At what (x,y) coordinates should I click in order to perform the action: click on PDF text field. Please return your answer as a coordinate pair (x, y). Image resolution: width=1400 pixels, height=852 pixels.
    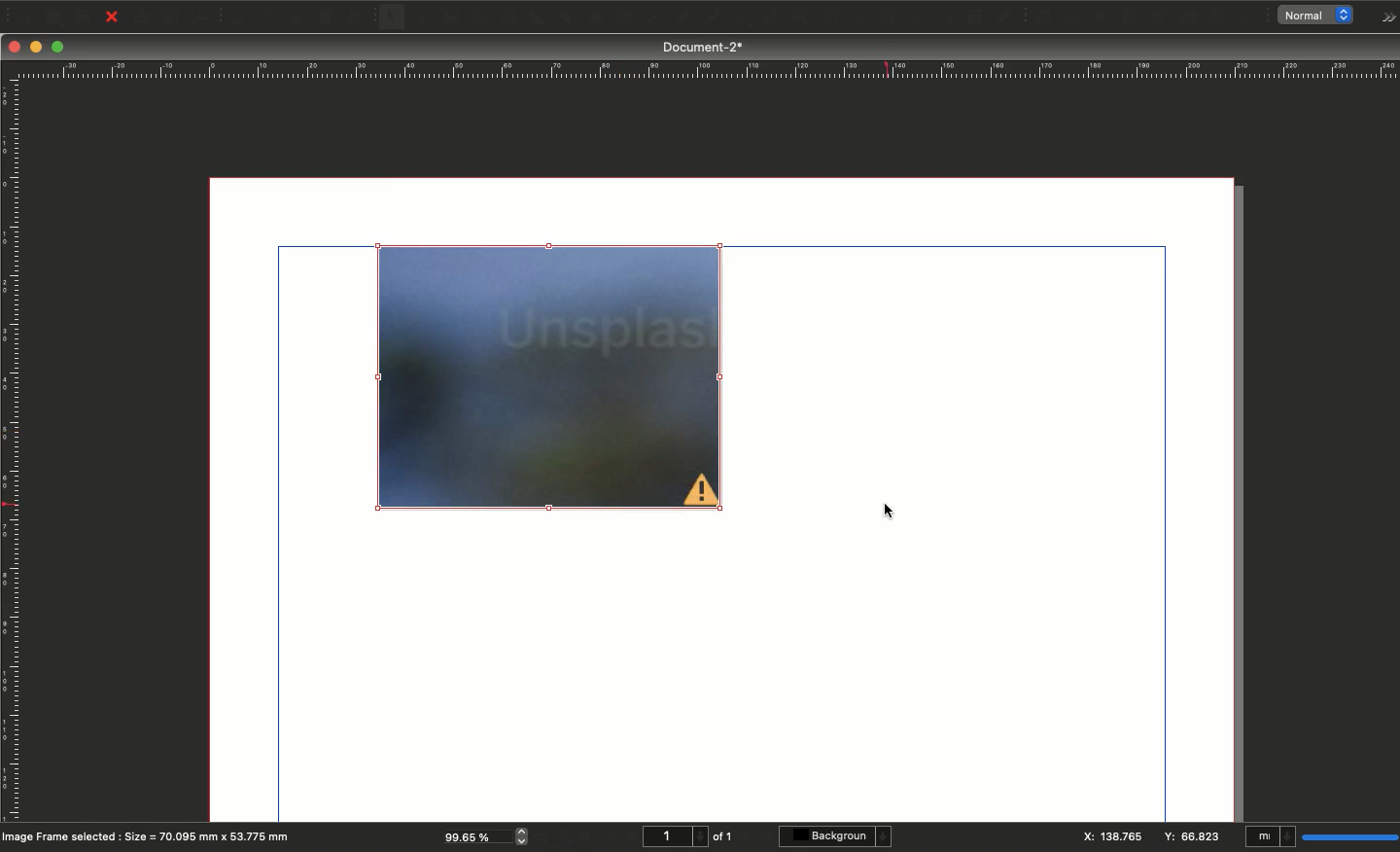
    Looking at the image, I should click on (1129, 18).